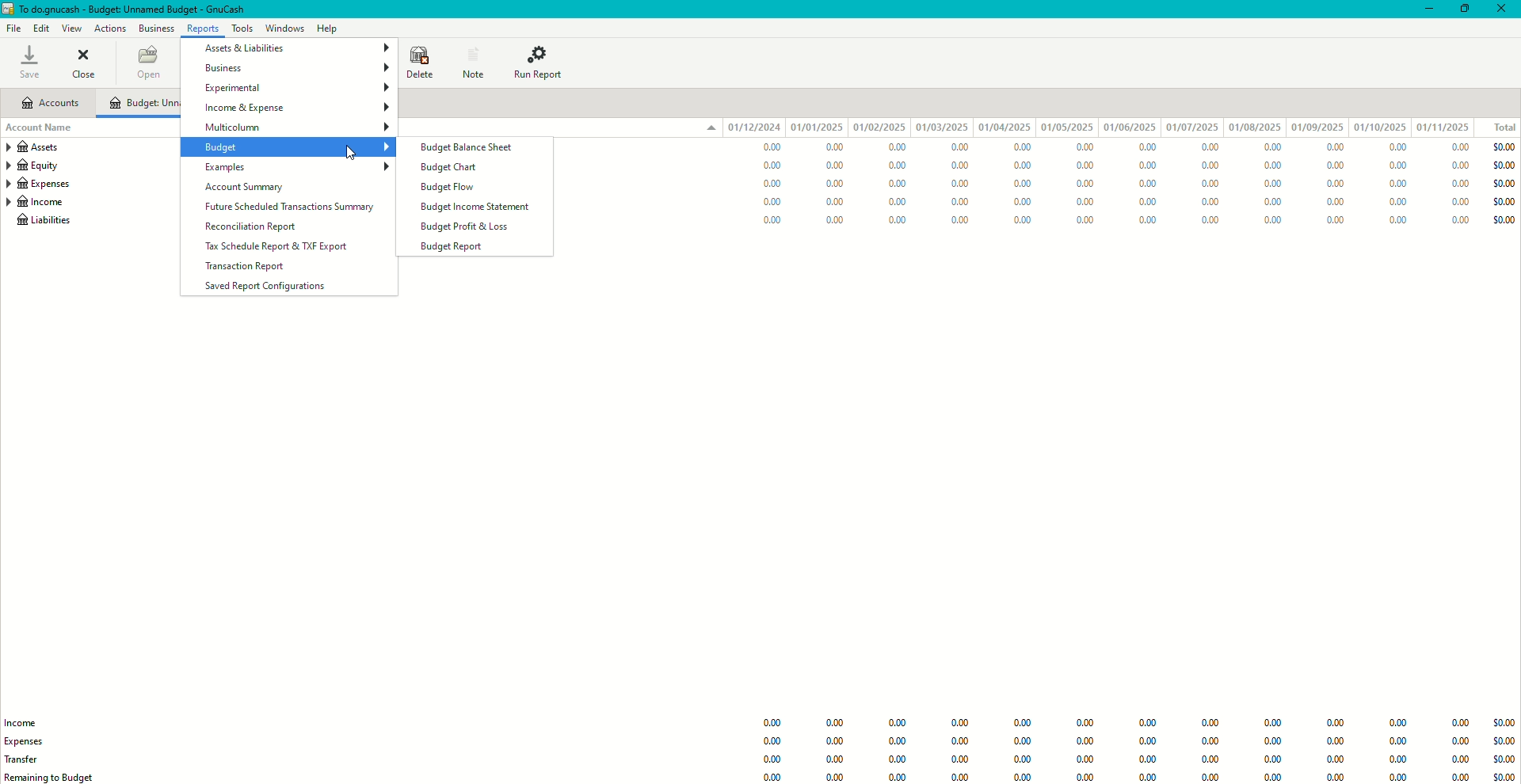 Image resolution: width=1521 pixels, height=784 pixels. What do you see at coordinates (1458, 722) in the screenshot?
I see `0.00` at bounding box center [1458, 722].